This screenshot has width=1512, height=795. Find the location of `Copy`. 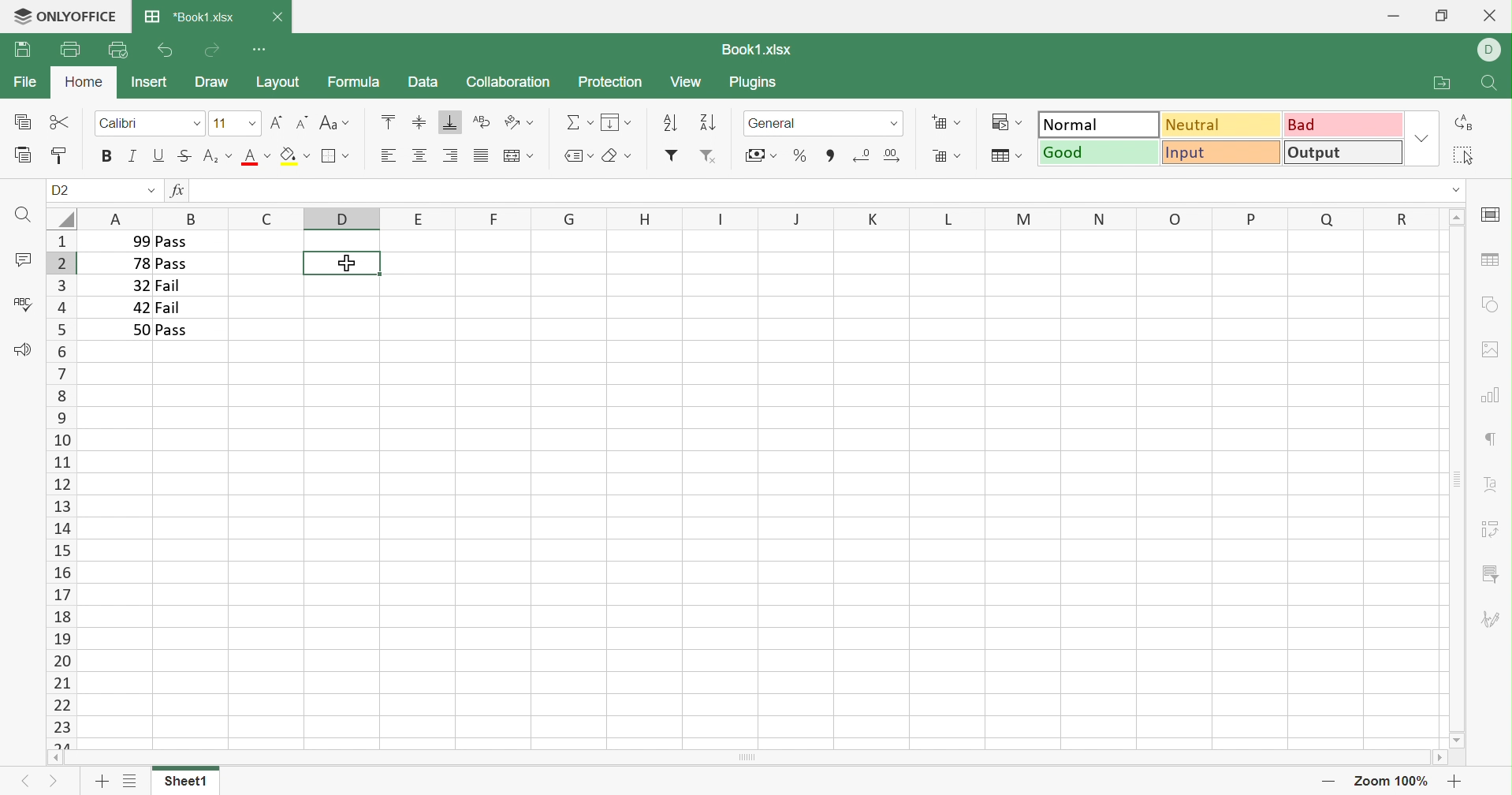

Copy is located at coordinates (24, 121).